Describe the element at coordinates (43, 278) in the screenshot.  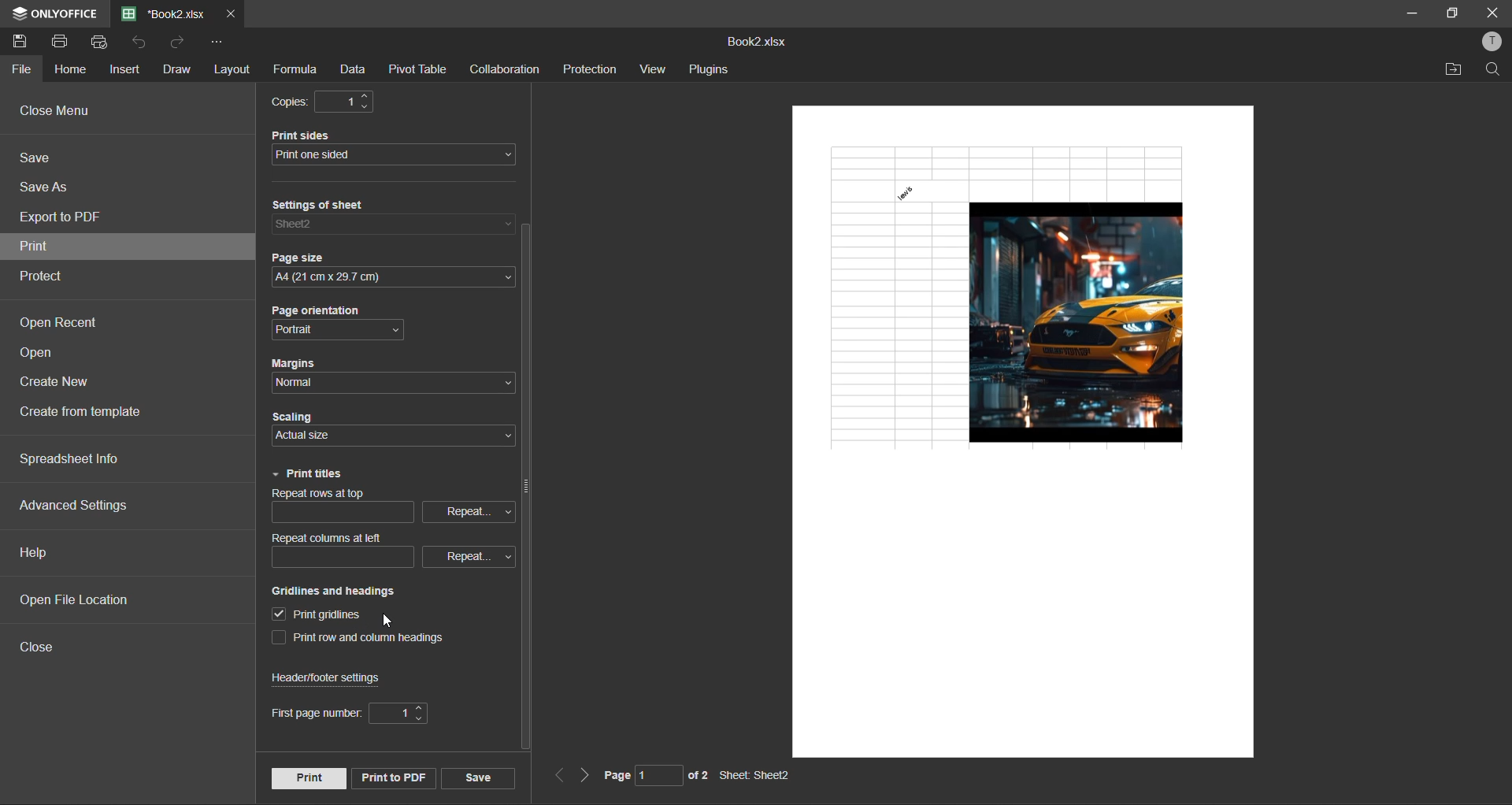
I see `protect` at that location.